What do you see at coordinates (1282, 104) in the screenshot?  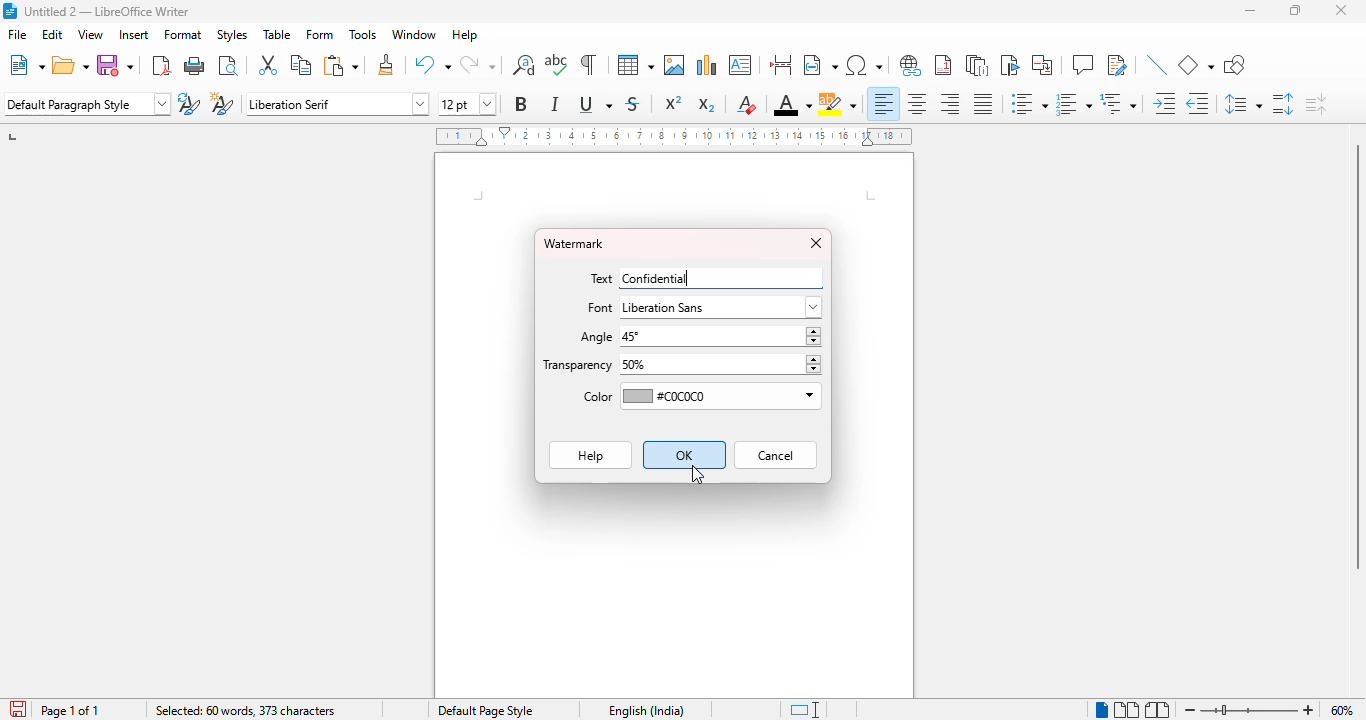 I see `increase paragraph spacing` at bounding box center [1282, 104].